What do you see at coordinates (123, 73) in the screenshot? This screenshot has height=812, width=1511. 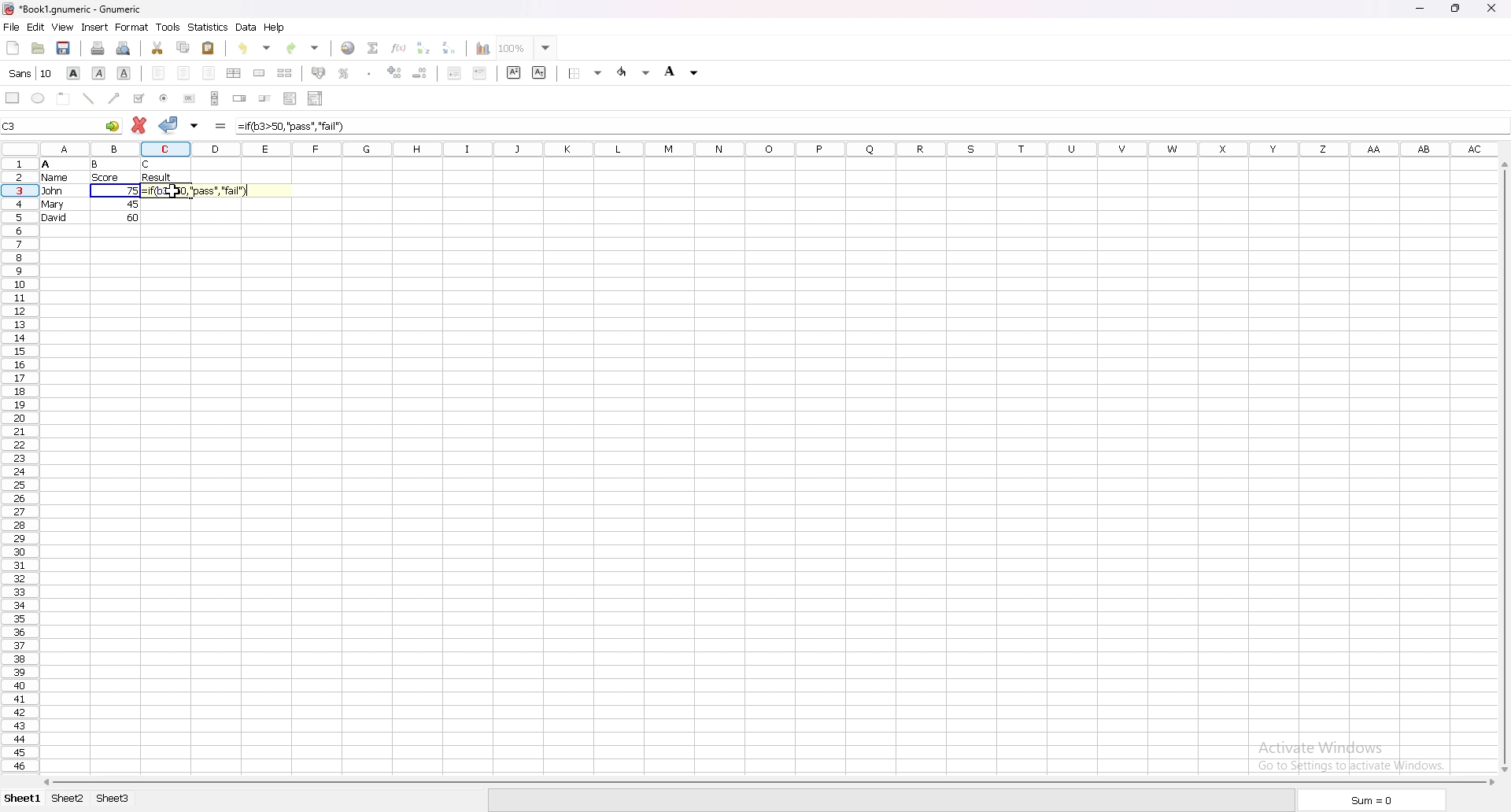 I see `underline` at bounding box center [123, 73].